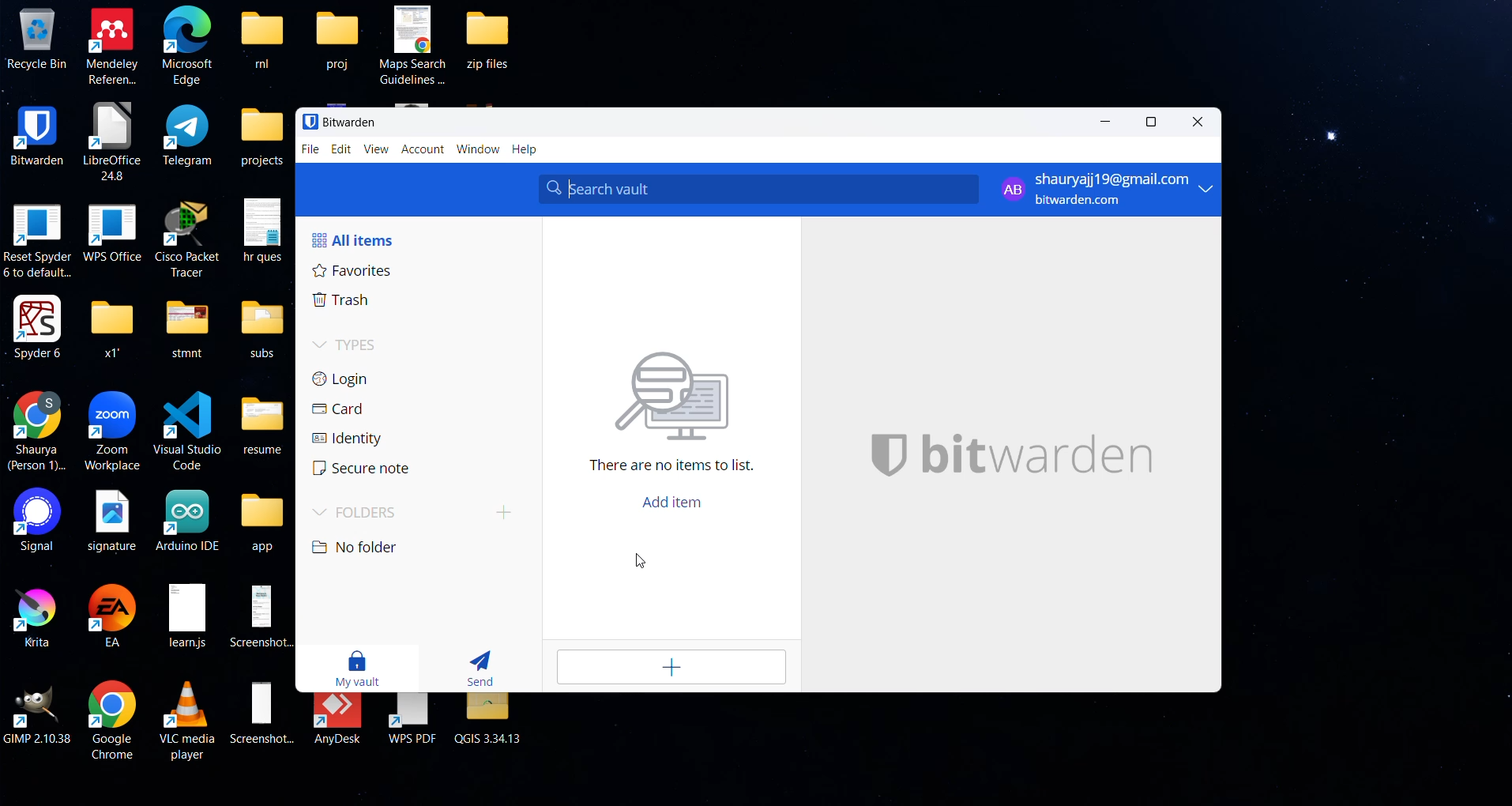  What do you see at coordinates (38, 431) in the screenshot?
I see `Shaurya(Person 1)...` at bounding box center [38, 431].